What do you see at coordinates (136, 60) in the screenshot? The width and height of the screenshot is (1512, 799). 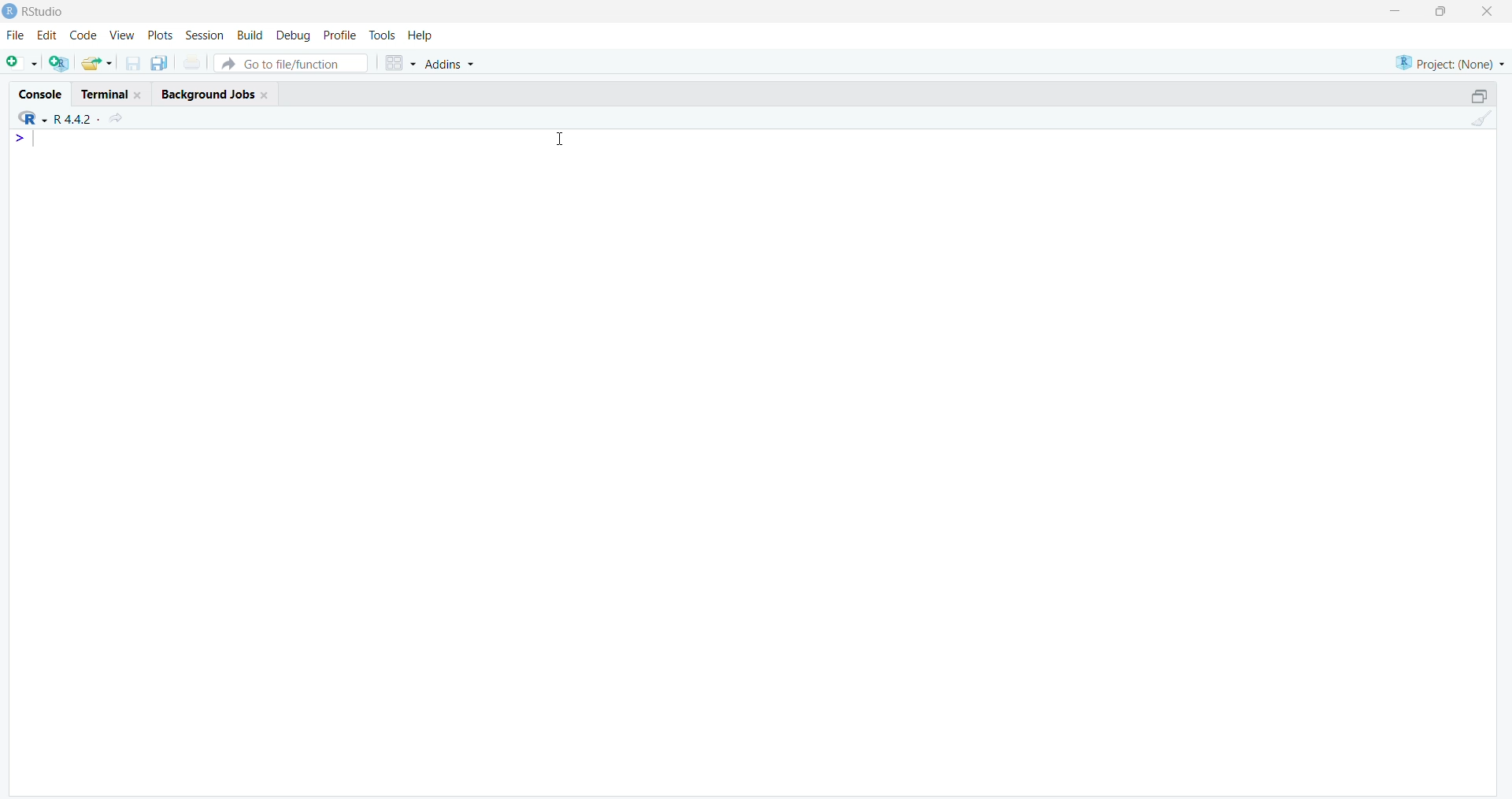 I see `Save current document (Ctrl + S)` at bounding box center [136, 60].